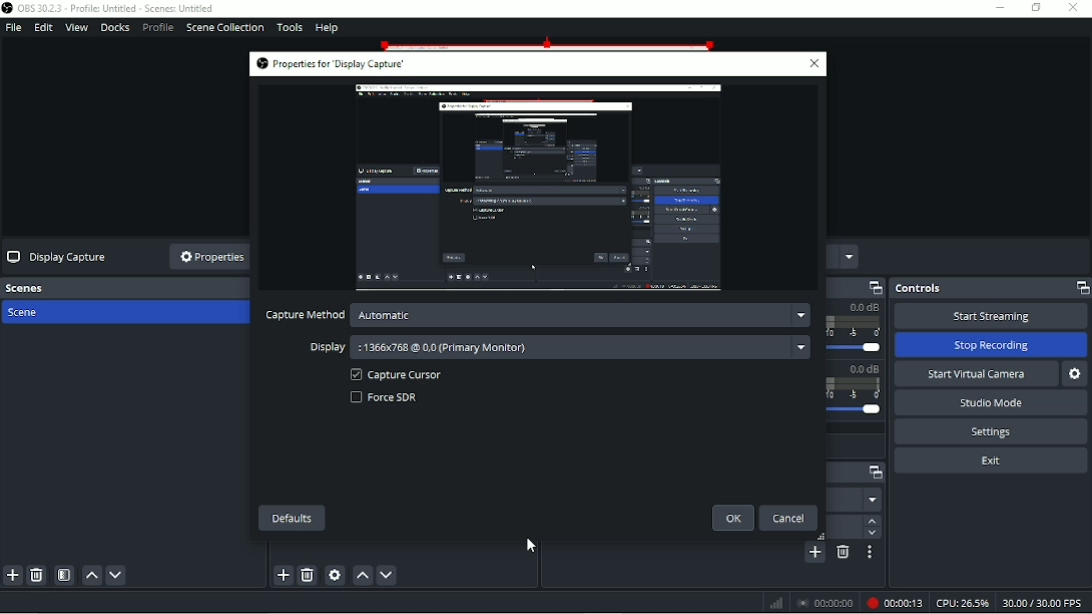  Describe the element at coordinates (731, 518) in the screenshot. I see `OK` at that location.